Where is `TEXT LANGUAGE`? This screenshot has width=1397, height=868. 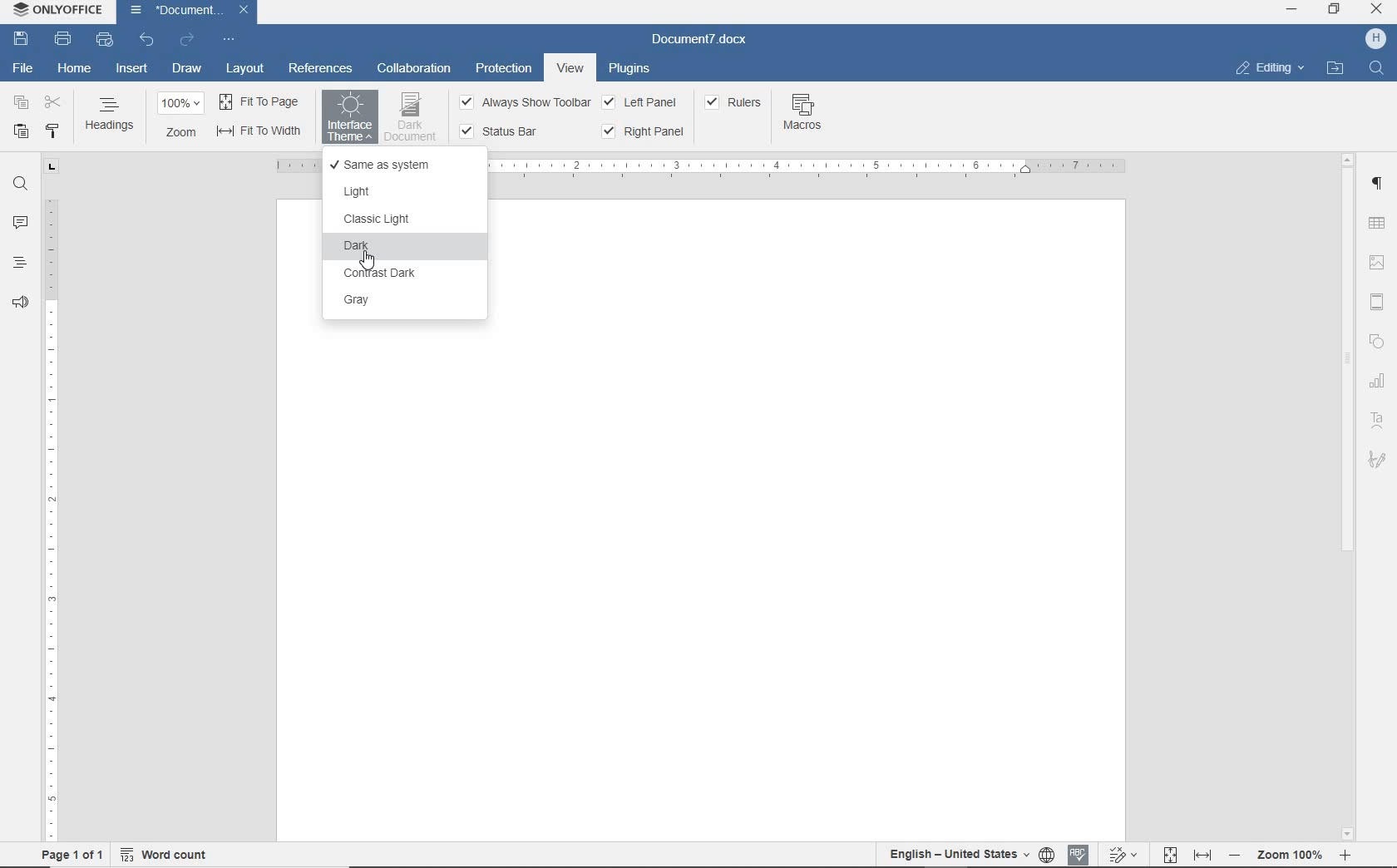
TEXT LANGUAGE is located at coordinates (957, 854).